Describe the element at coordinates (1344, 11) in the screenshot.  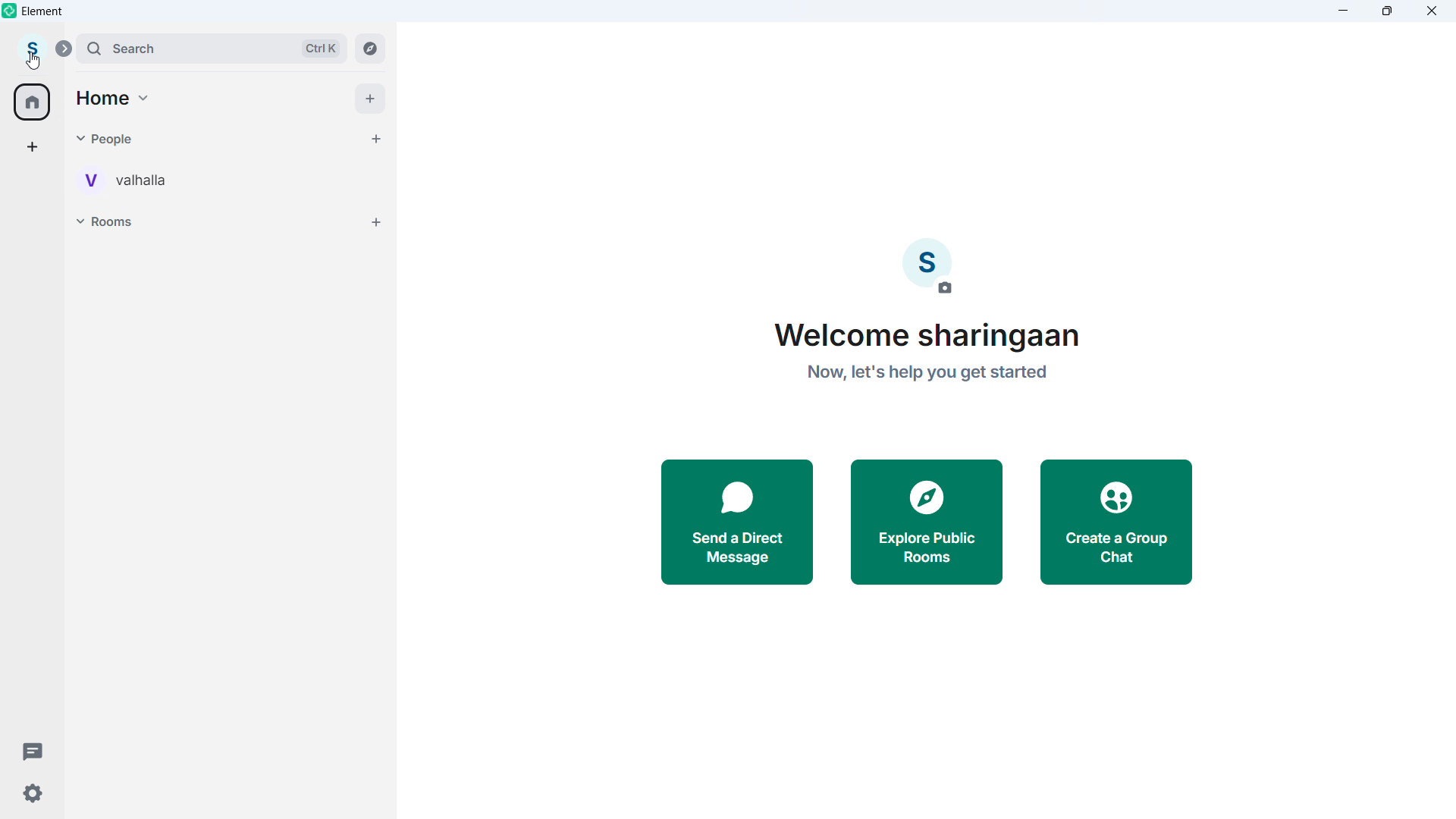
I see `minimize` at that location.